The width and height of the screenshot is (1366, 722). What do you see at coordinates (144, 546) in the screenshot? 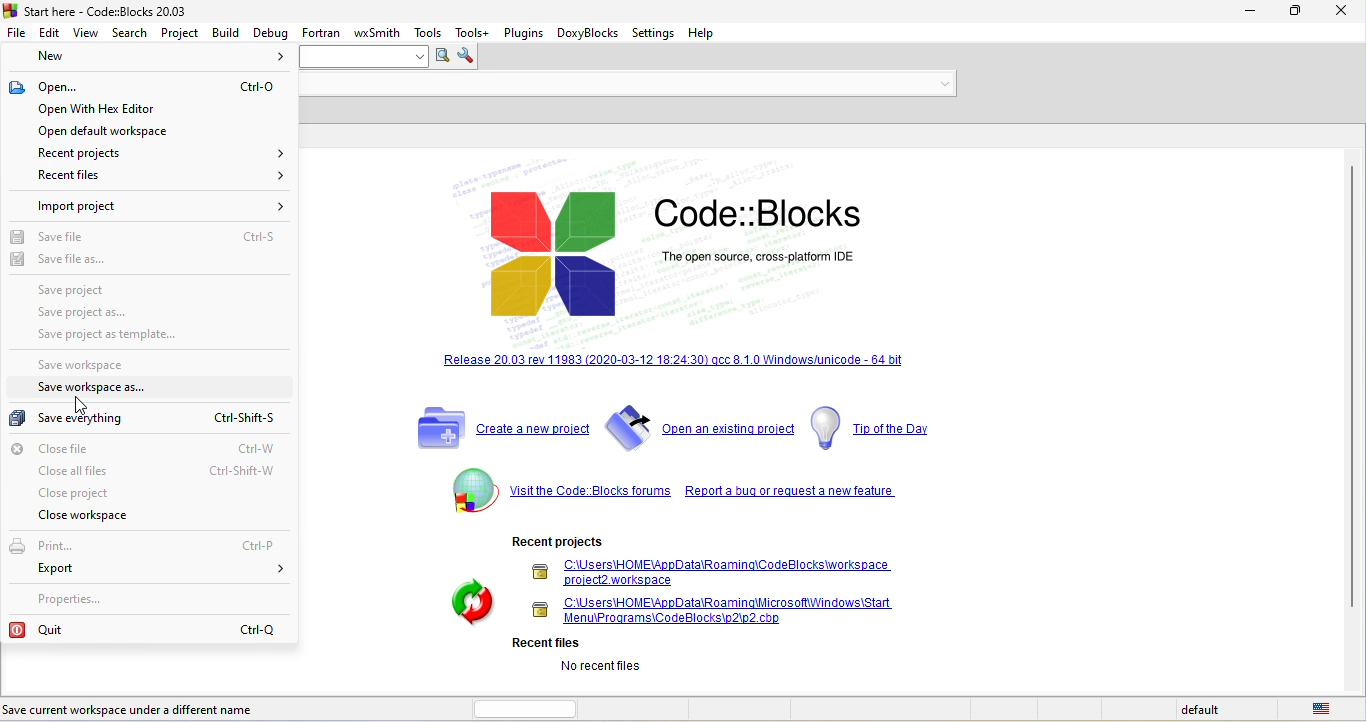
I see `print` at bounding box center [144, 546].